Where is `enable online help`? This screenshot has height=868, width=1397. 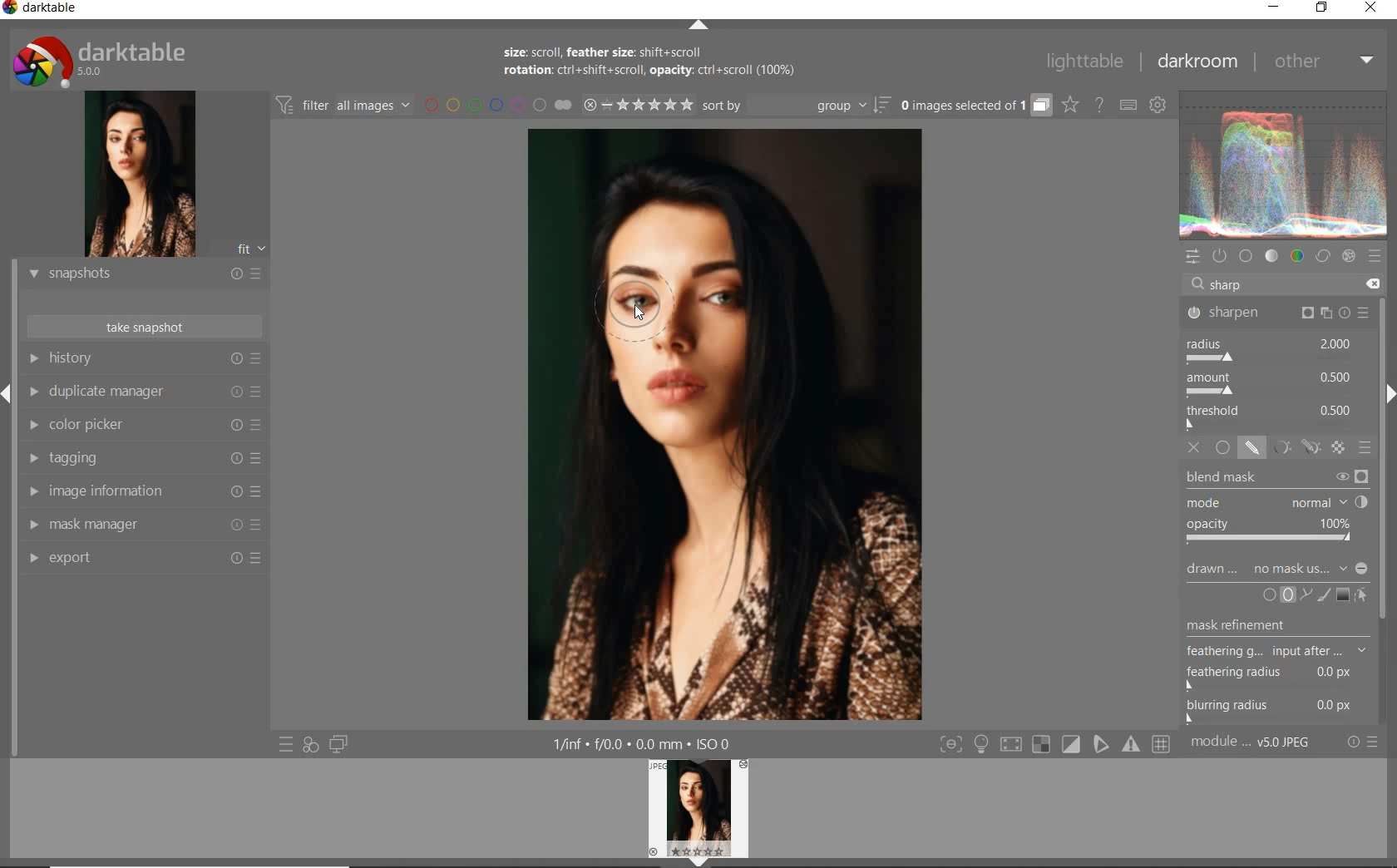 enable online help is located at coordinates (1099, 106).